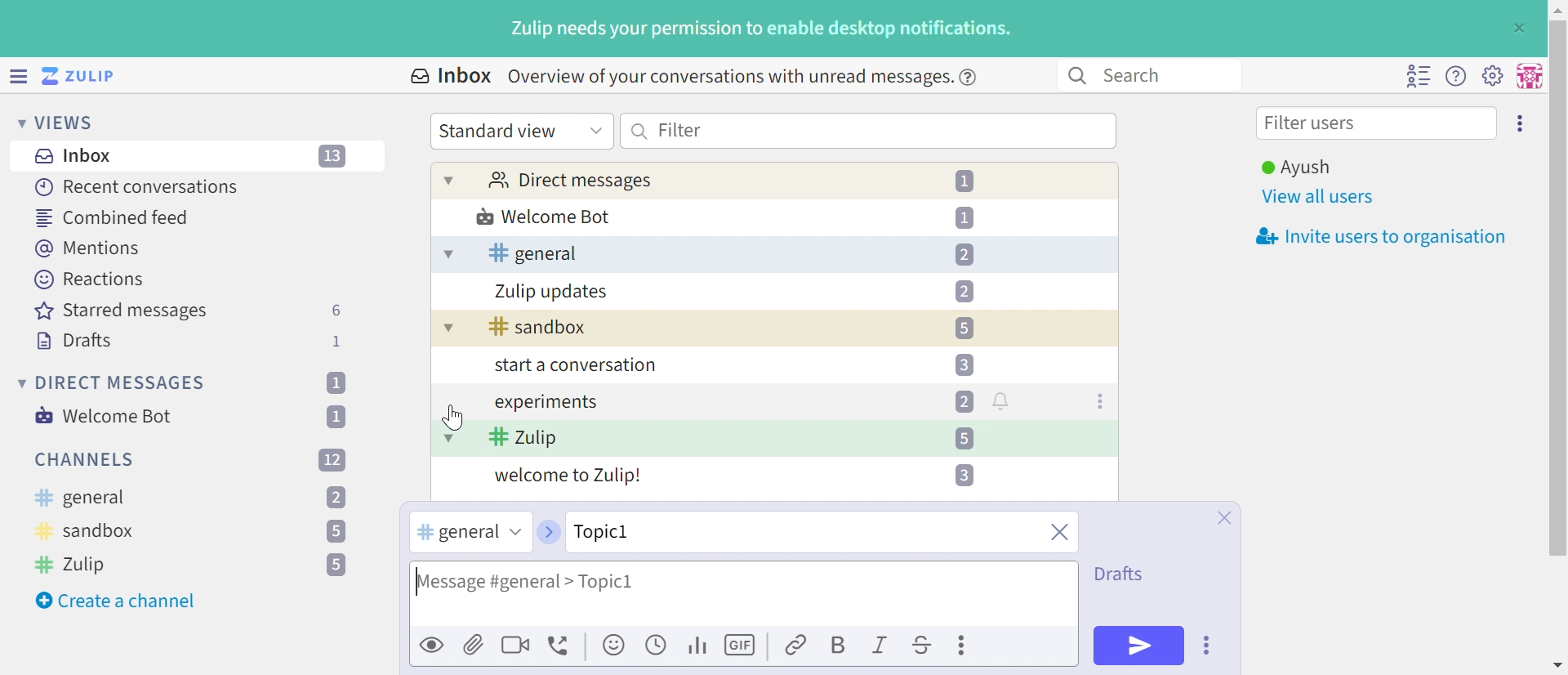 This screenshot has width=1568, height=675. Describe the element at coordinates (514, 532) in the screenshot. I see `Drop Down` at that location.